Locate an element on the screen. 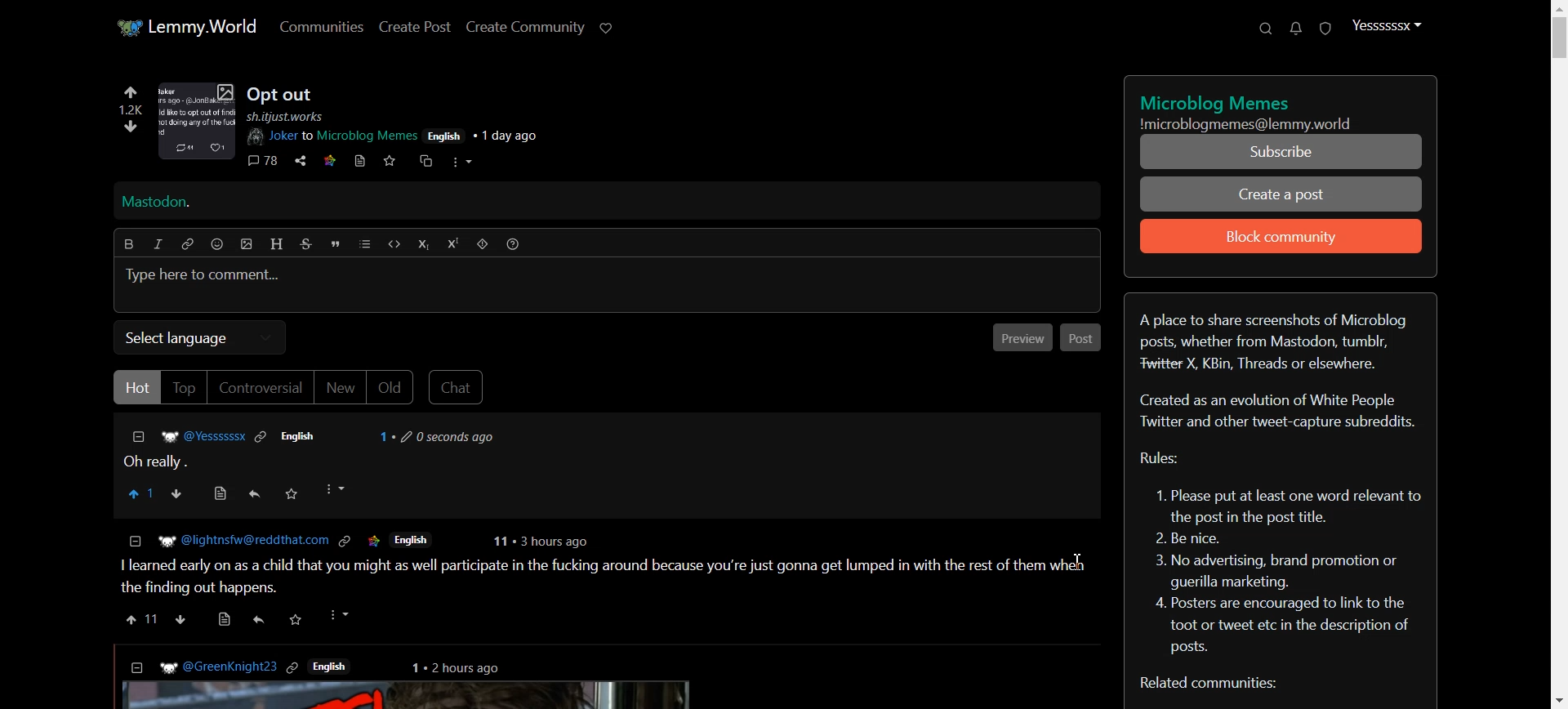 This screenshot has height=709, width=1568. Hyperlink is located at coordinates (189, 243).